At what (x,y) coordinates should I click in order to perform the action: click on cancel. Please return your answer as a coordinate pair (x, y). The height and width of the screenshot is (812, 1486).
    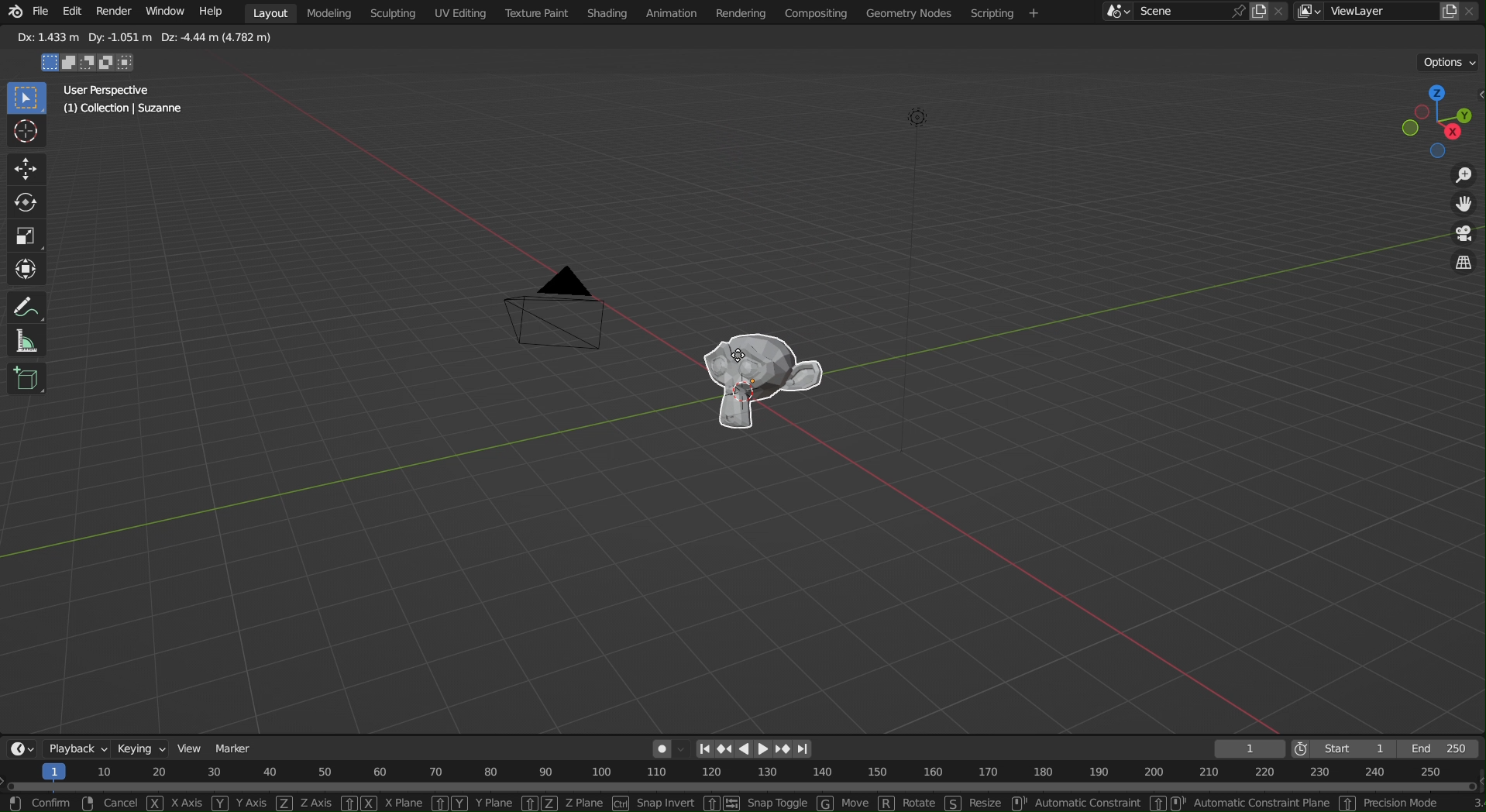
    Looking at the image, I should click on (122, 803).